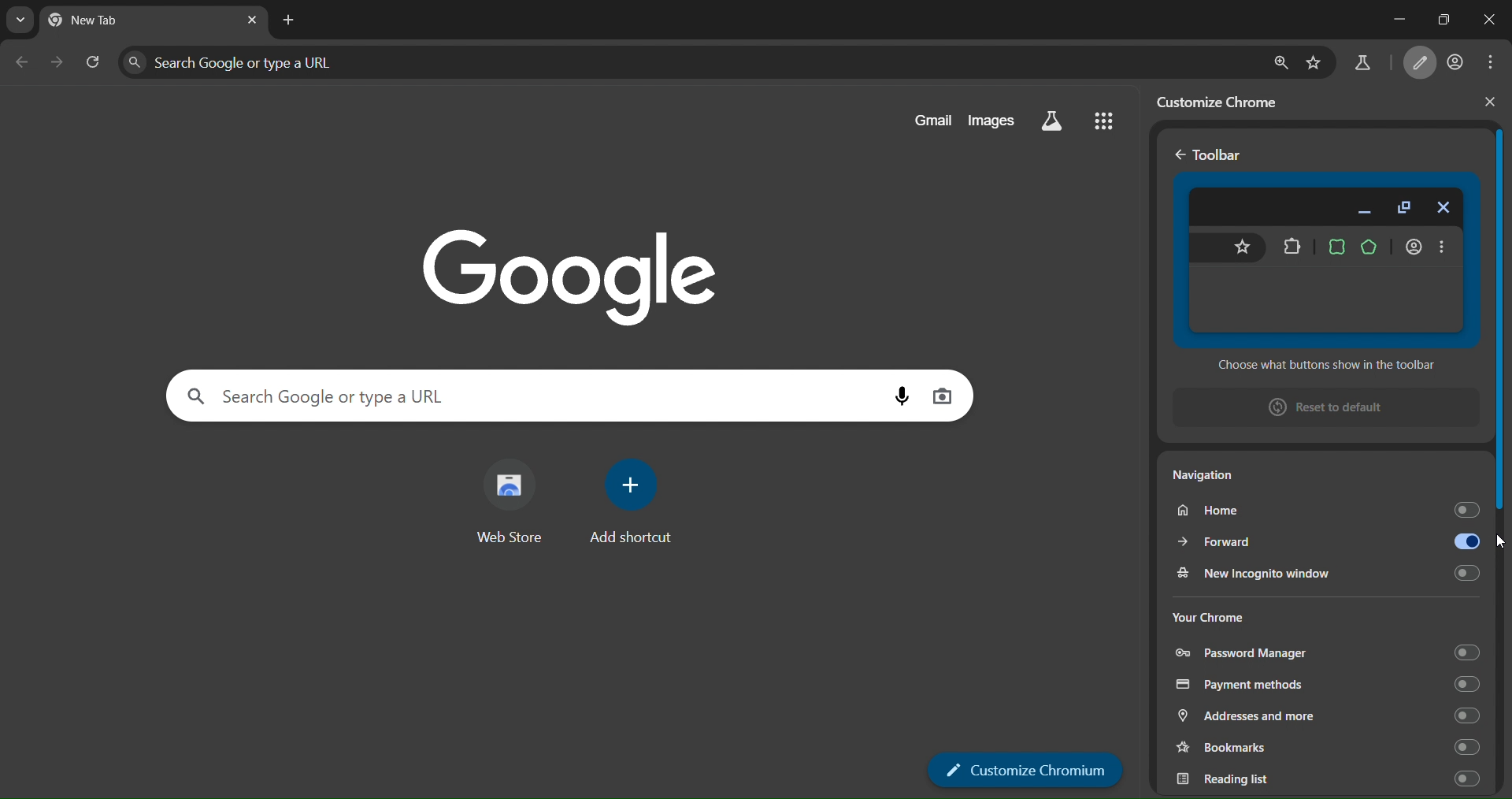  What do you see at coordinates (109, 22) in the screenshot?
I see `current tab` at bounding box center [109, 22].